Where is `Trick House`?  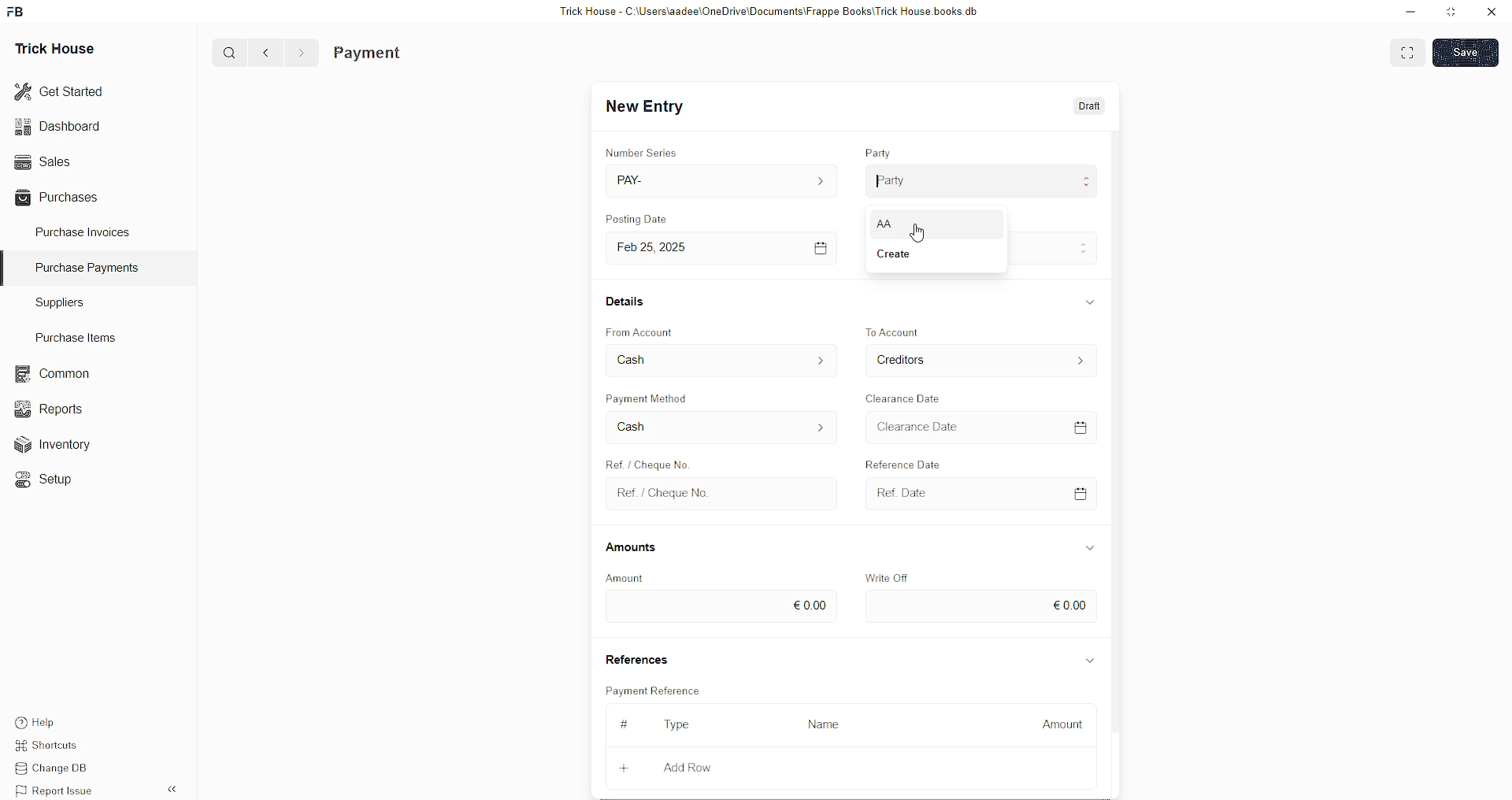
Trick House is located at coordinates (50, 47).